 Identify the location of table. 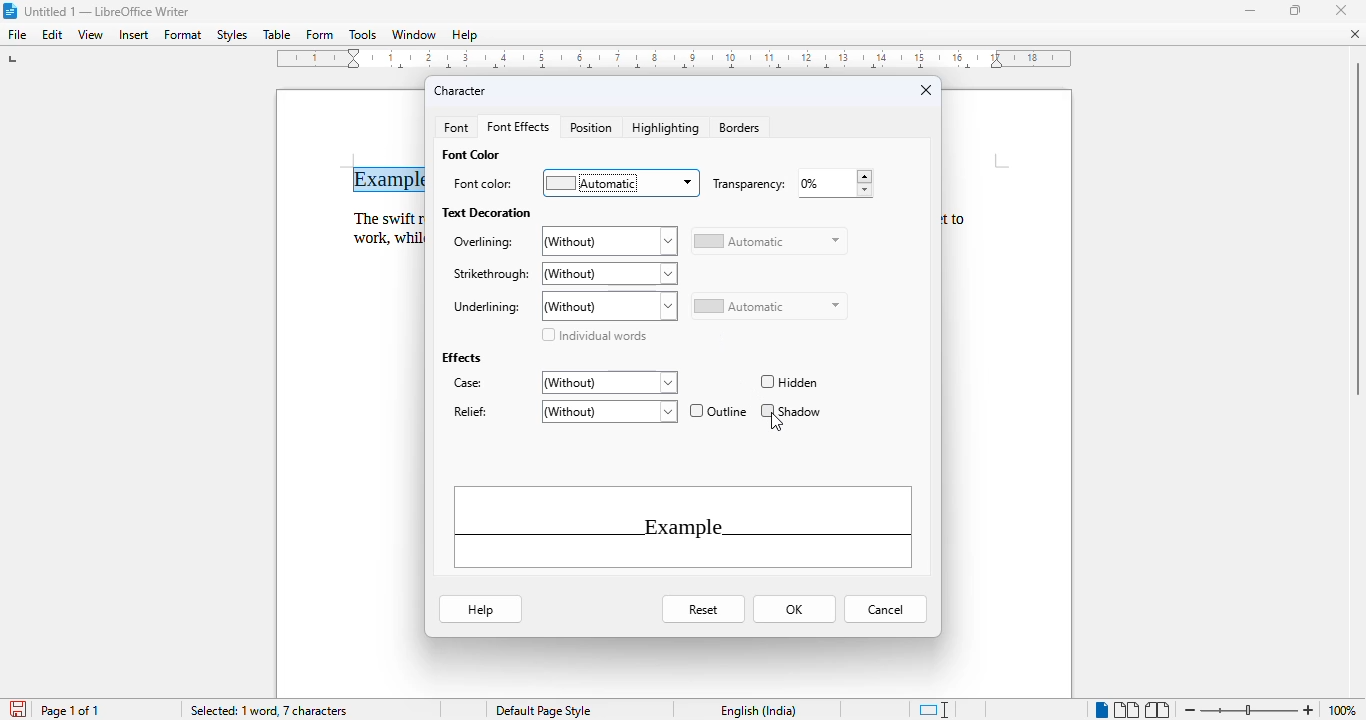
(277, 35).